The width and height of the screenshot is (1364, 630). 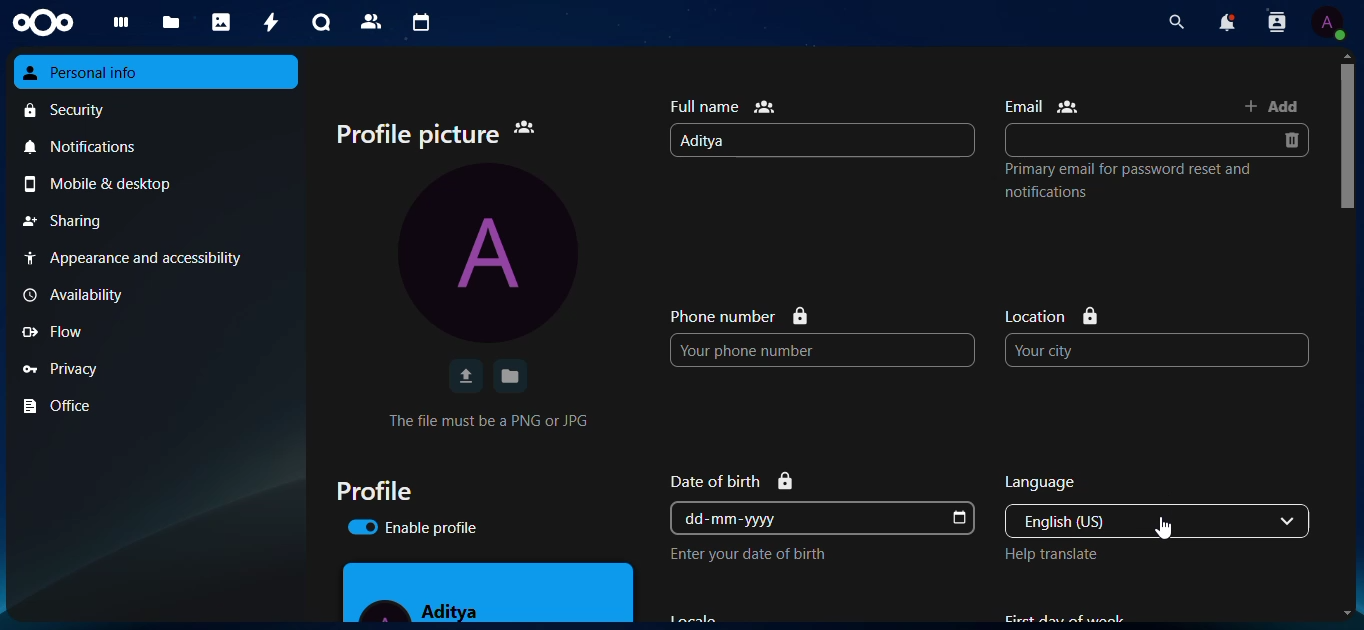 What do you see at coordinates (1296, 141) in the screenshot?
I see `delete` at bounding box center [1296, 141].